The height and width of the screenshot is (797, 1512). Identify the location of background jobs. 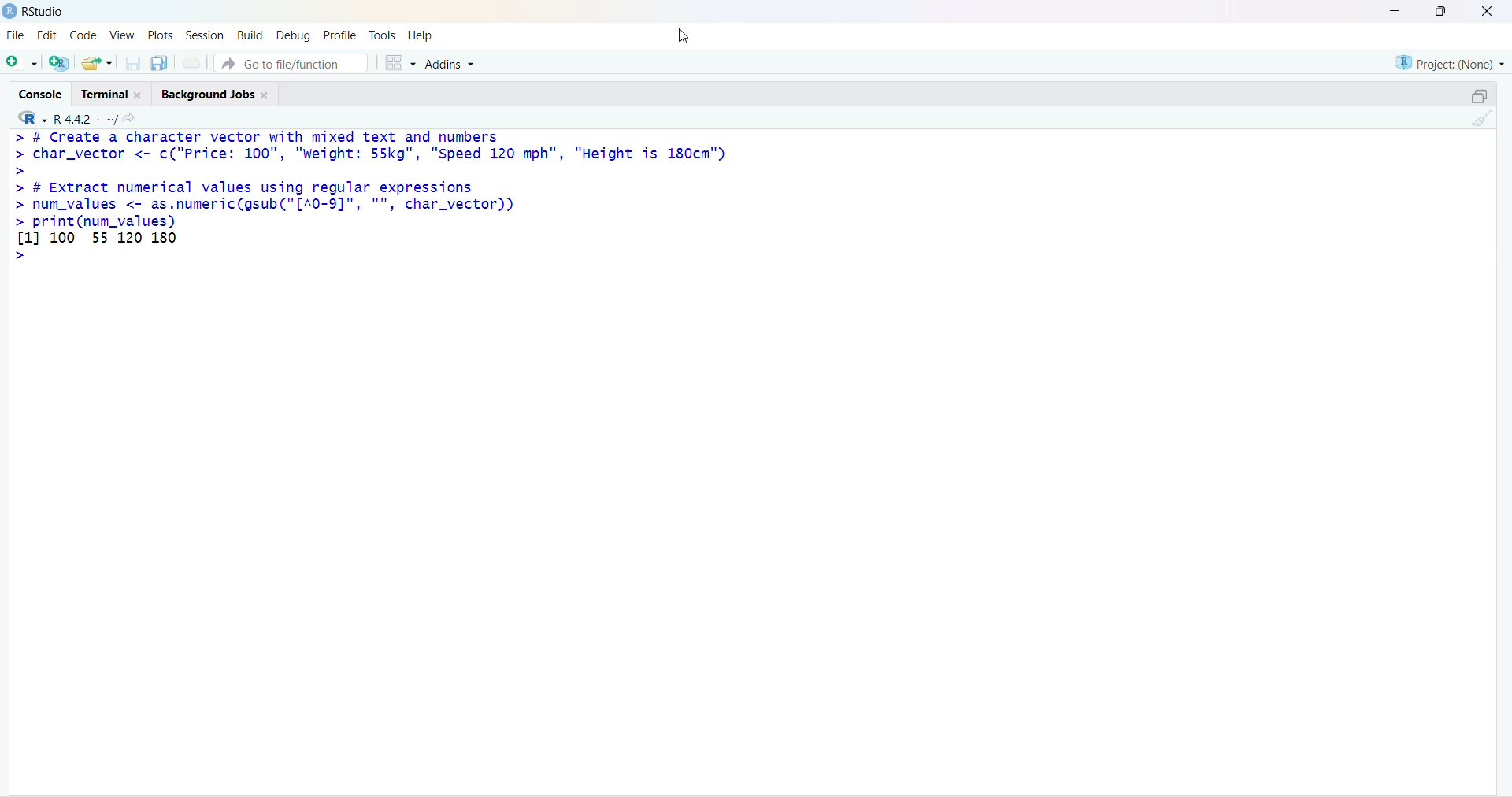
(208, 95).